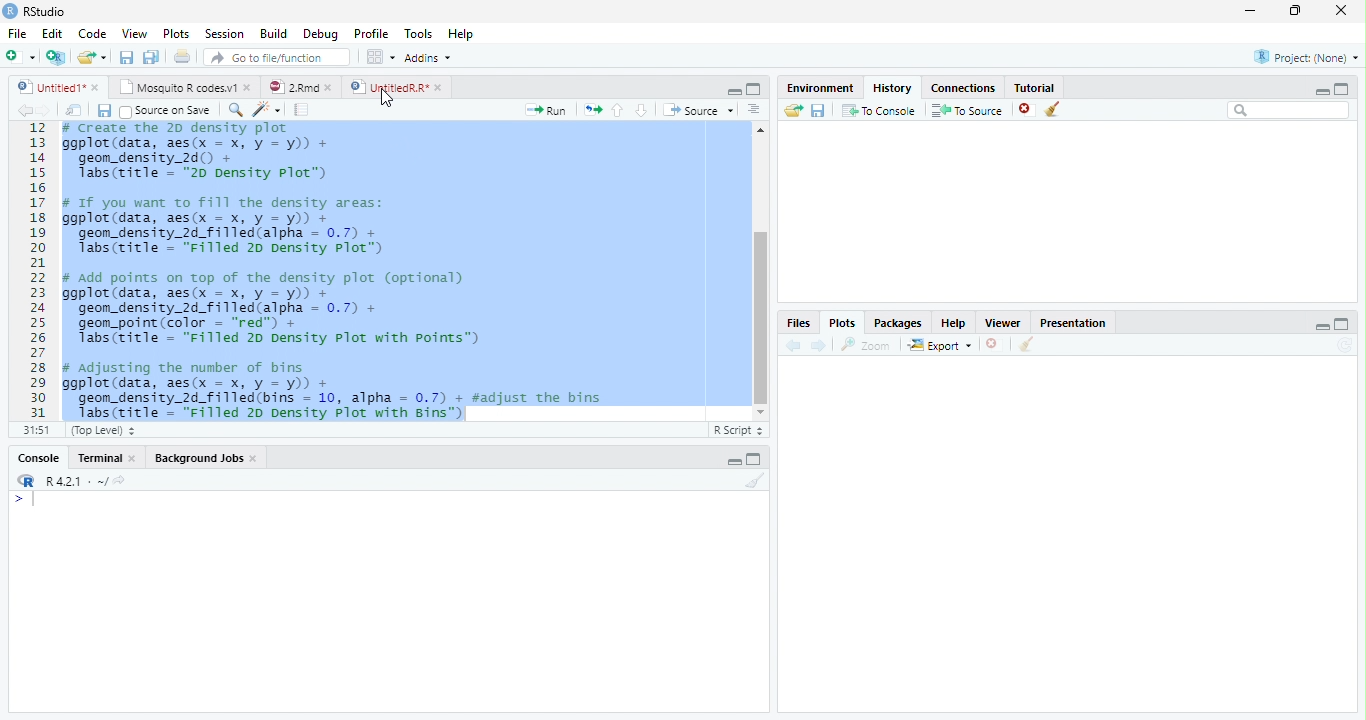 The height and width of the screenshot is (720, 1366). What do you see at coordinates (386, 98) in the screenshot?
I see `cursor` at bounding box center [386, 98].